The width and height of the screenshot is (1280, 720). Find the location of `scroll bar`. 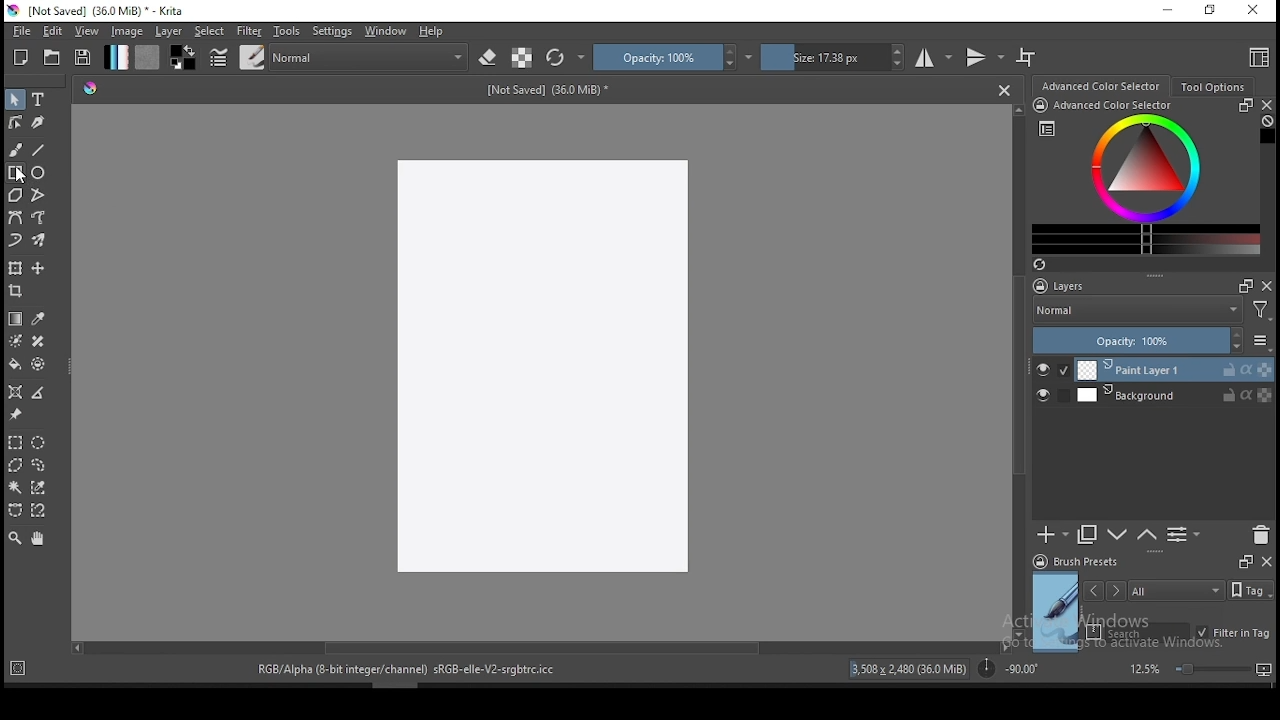

scroll bar is located at coordinates (539, 646).